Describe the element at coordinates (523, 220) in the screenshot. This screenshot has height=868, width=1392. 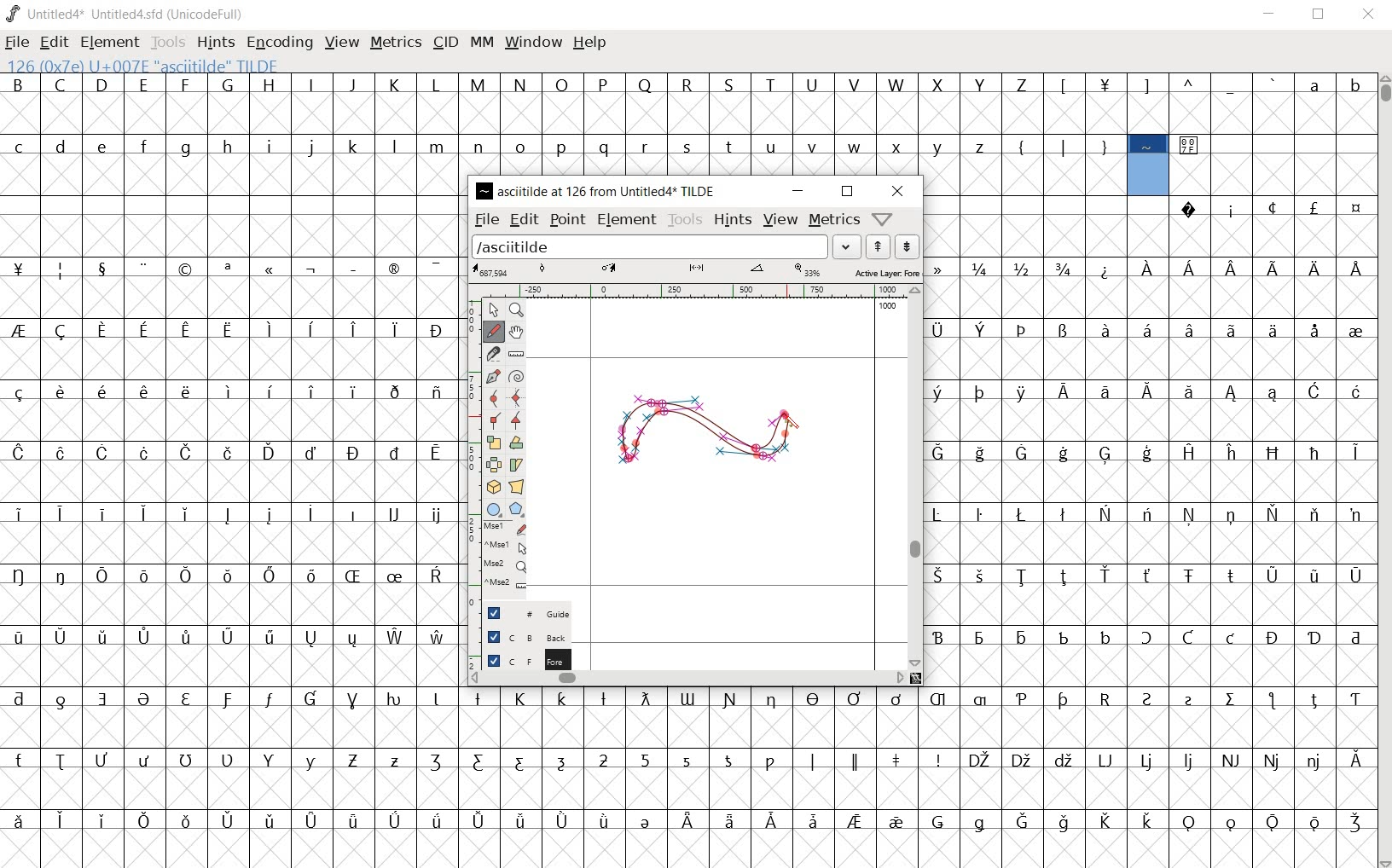
I see `edit` at that location.